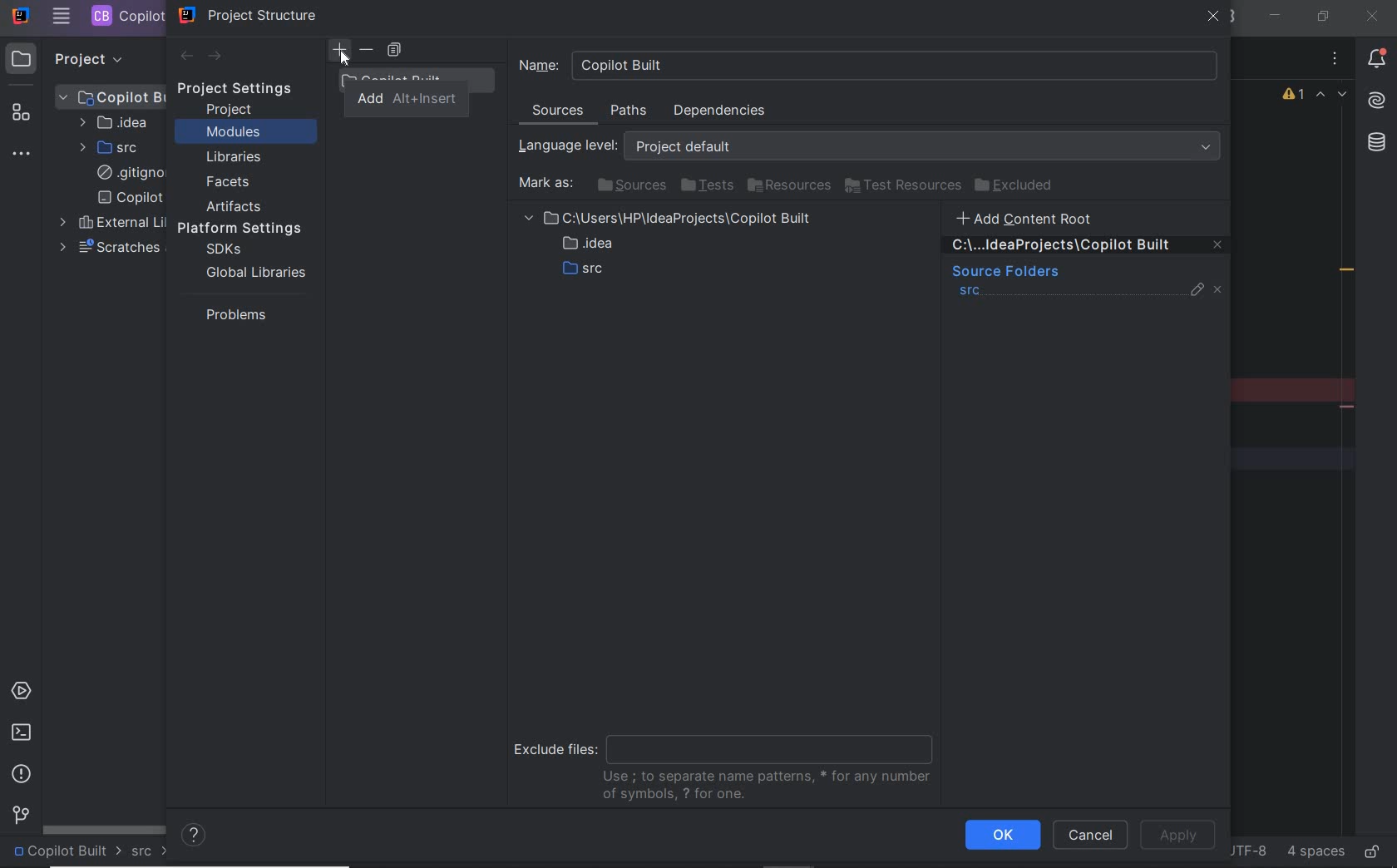 The width and height of the screenshot is (1397, 868). I want to click on Name, so click(869, 65).